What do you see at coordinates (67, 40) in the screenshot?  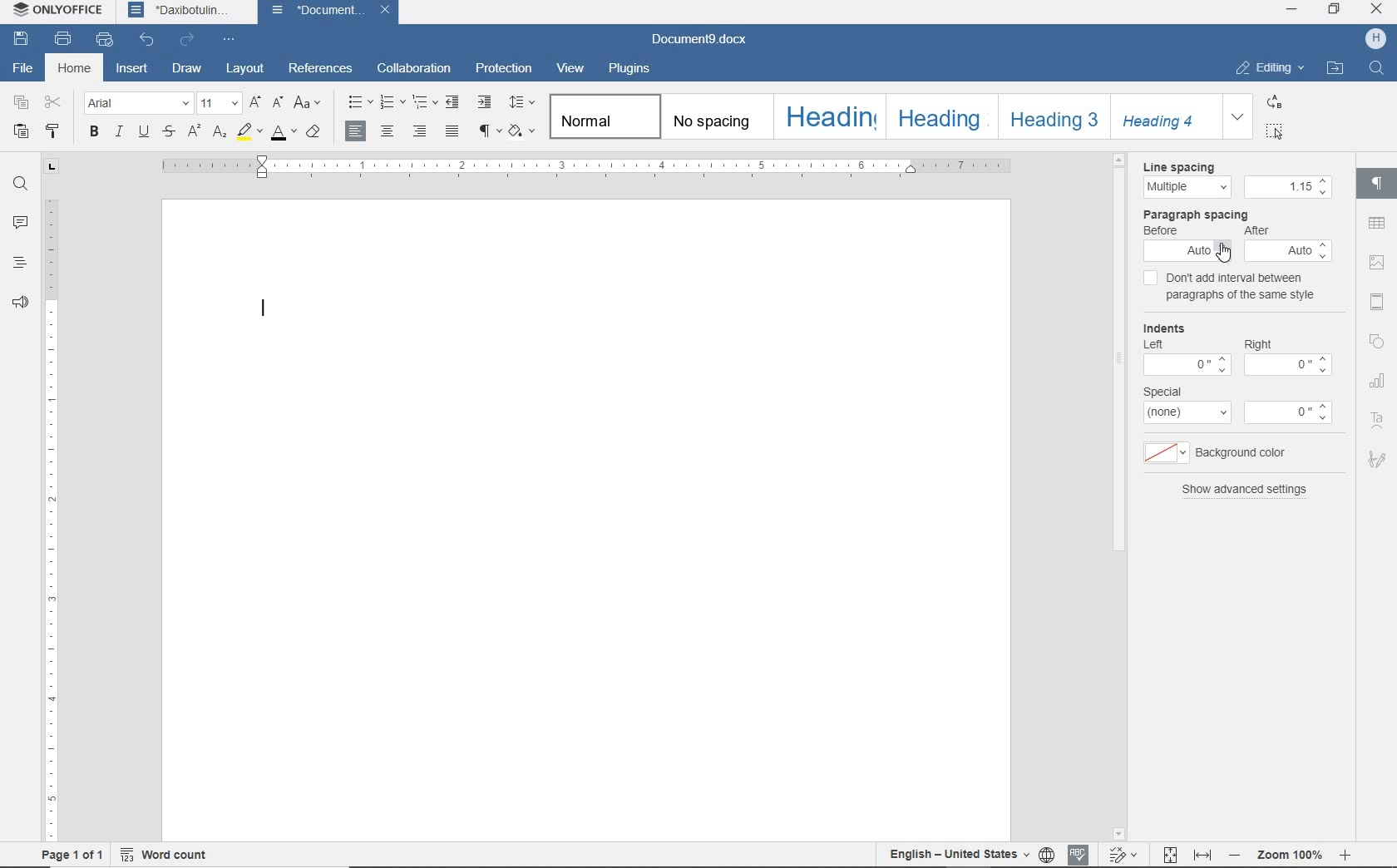 I see `print` at bounding box center [67, 40].